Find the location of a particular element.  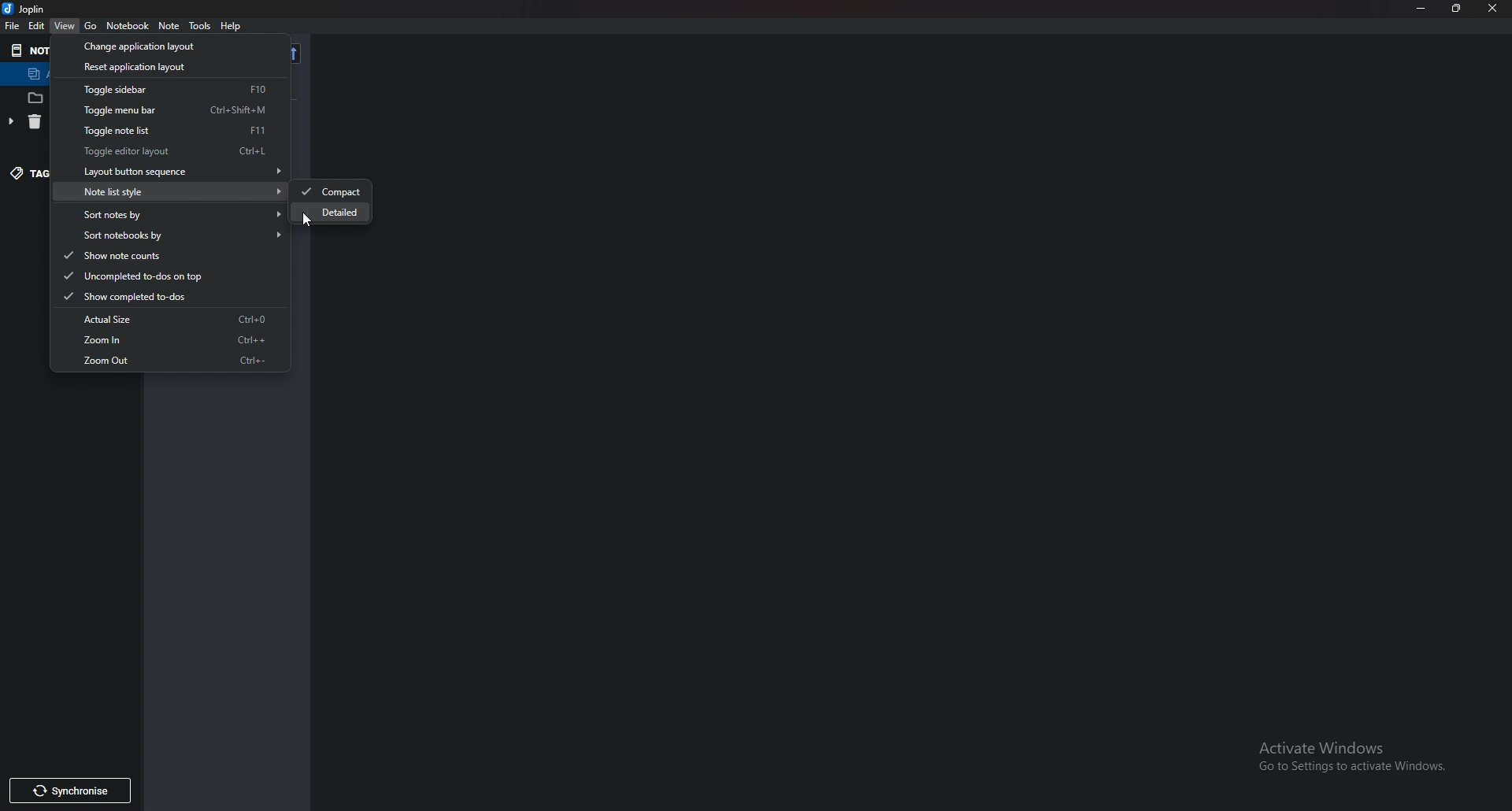

Note is located at coordinates (170, 25).